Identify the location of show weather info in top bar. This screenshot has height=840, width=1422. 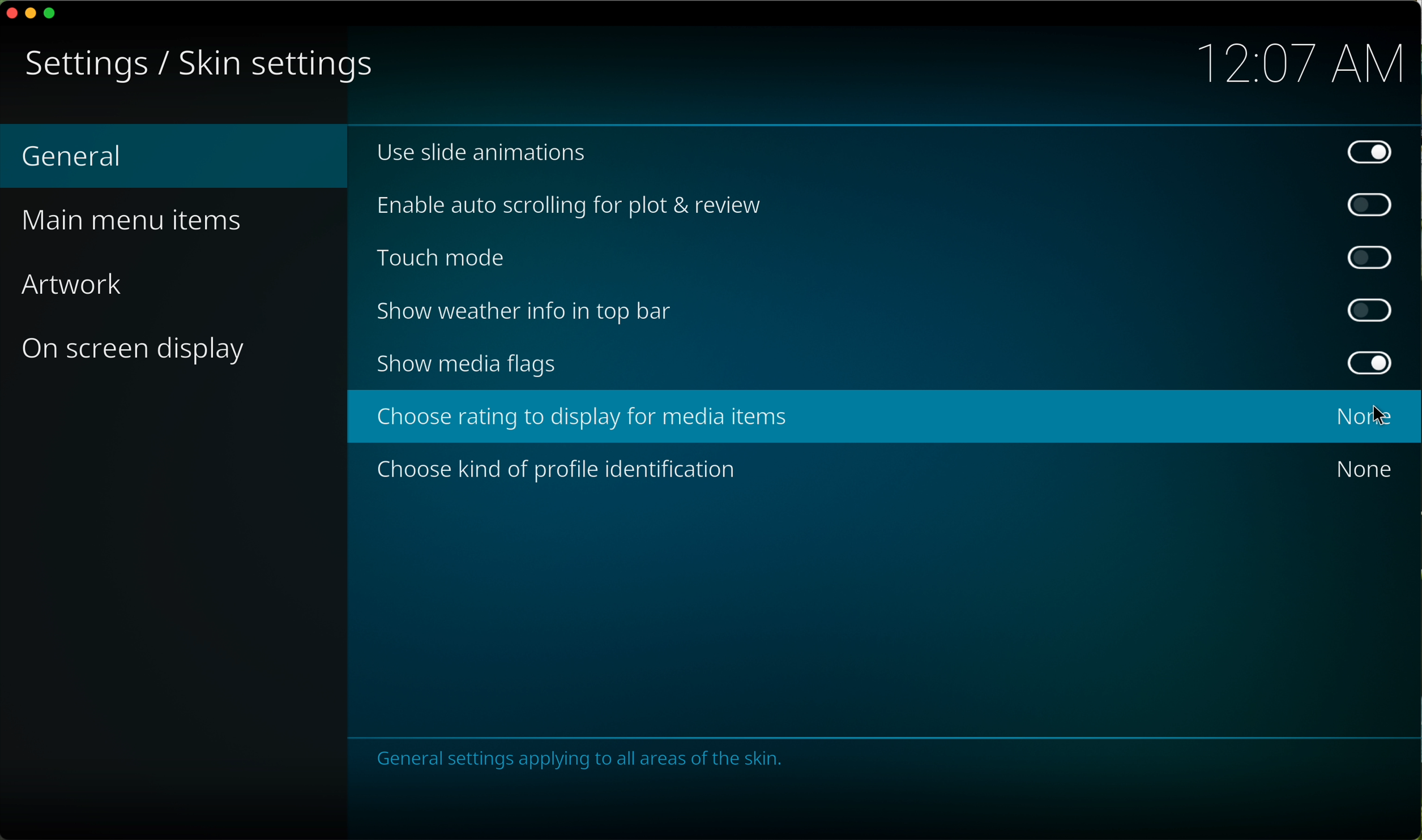
(881, 312).